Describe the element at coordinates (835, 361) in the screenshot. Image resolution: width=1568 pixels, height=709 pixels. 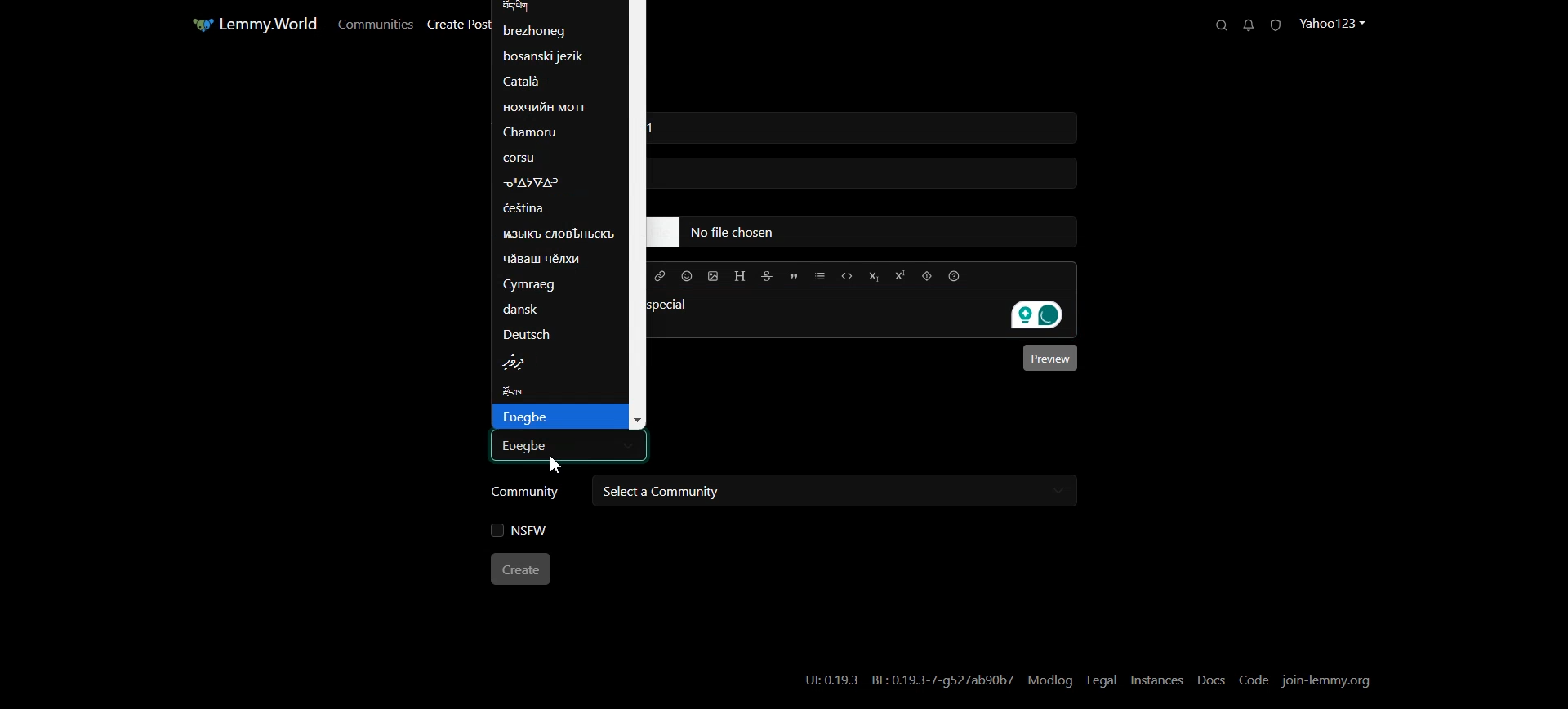
I see `Typing window` at that location.